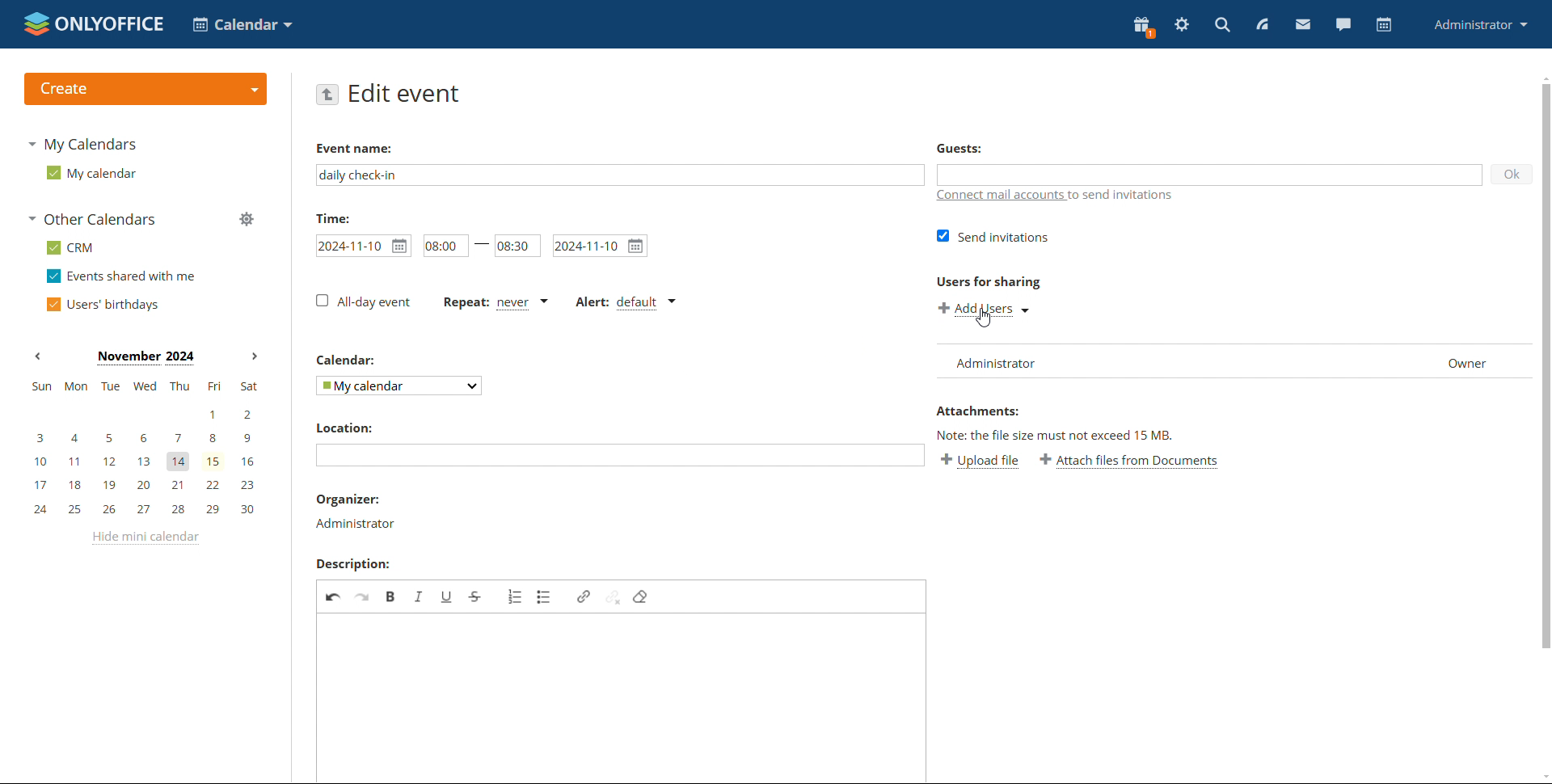 The image size is (1552, 784). I want to click on organizer:, so click(349, 501).